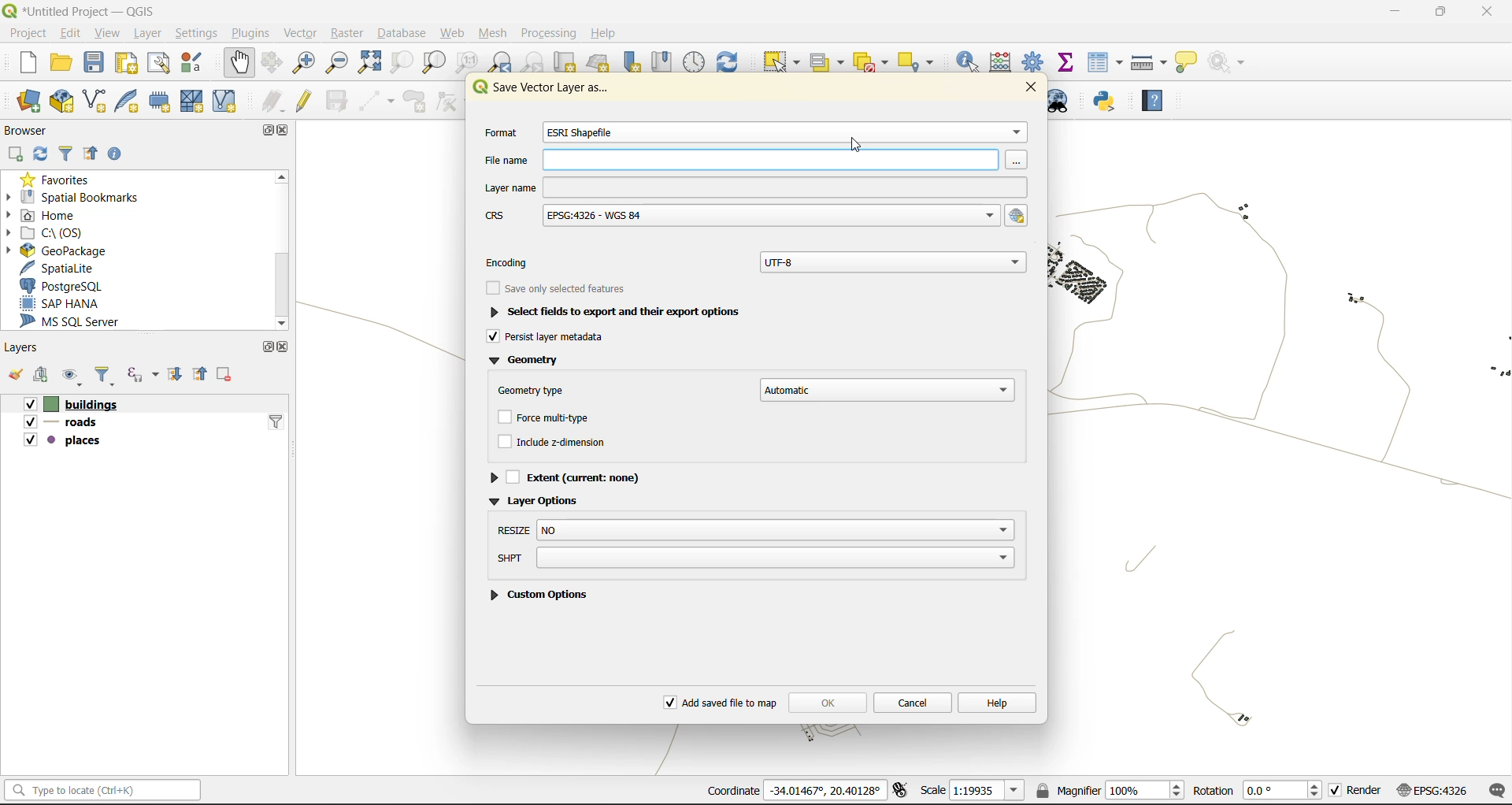  What do you see at coordinates (1105, 64) in the screenshot?
I see `attributes table` at bounding box center [1105, 64].